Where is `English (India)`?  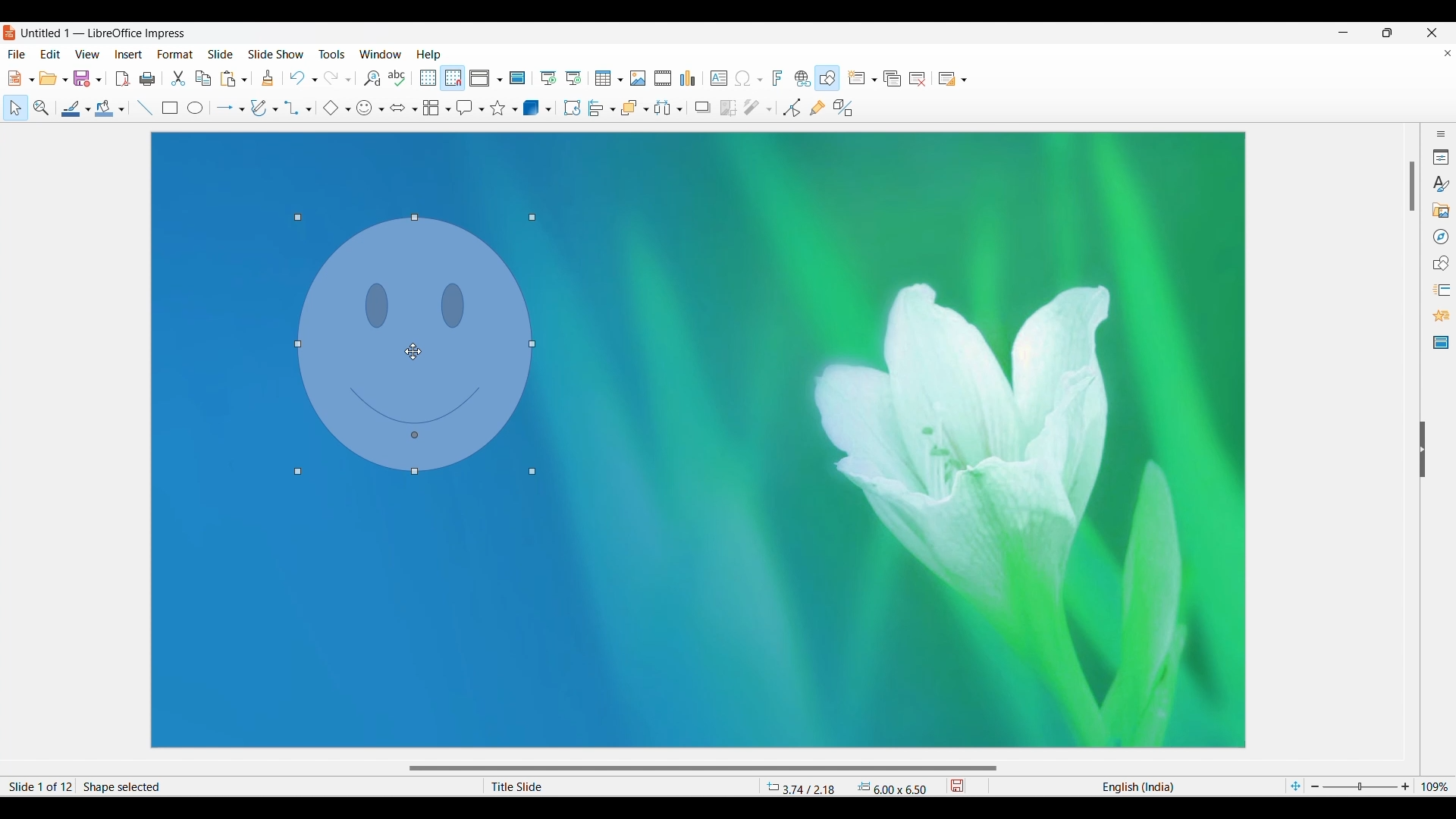
English (India) is located at coordinates (1138, 785).